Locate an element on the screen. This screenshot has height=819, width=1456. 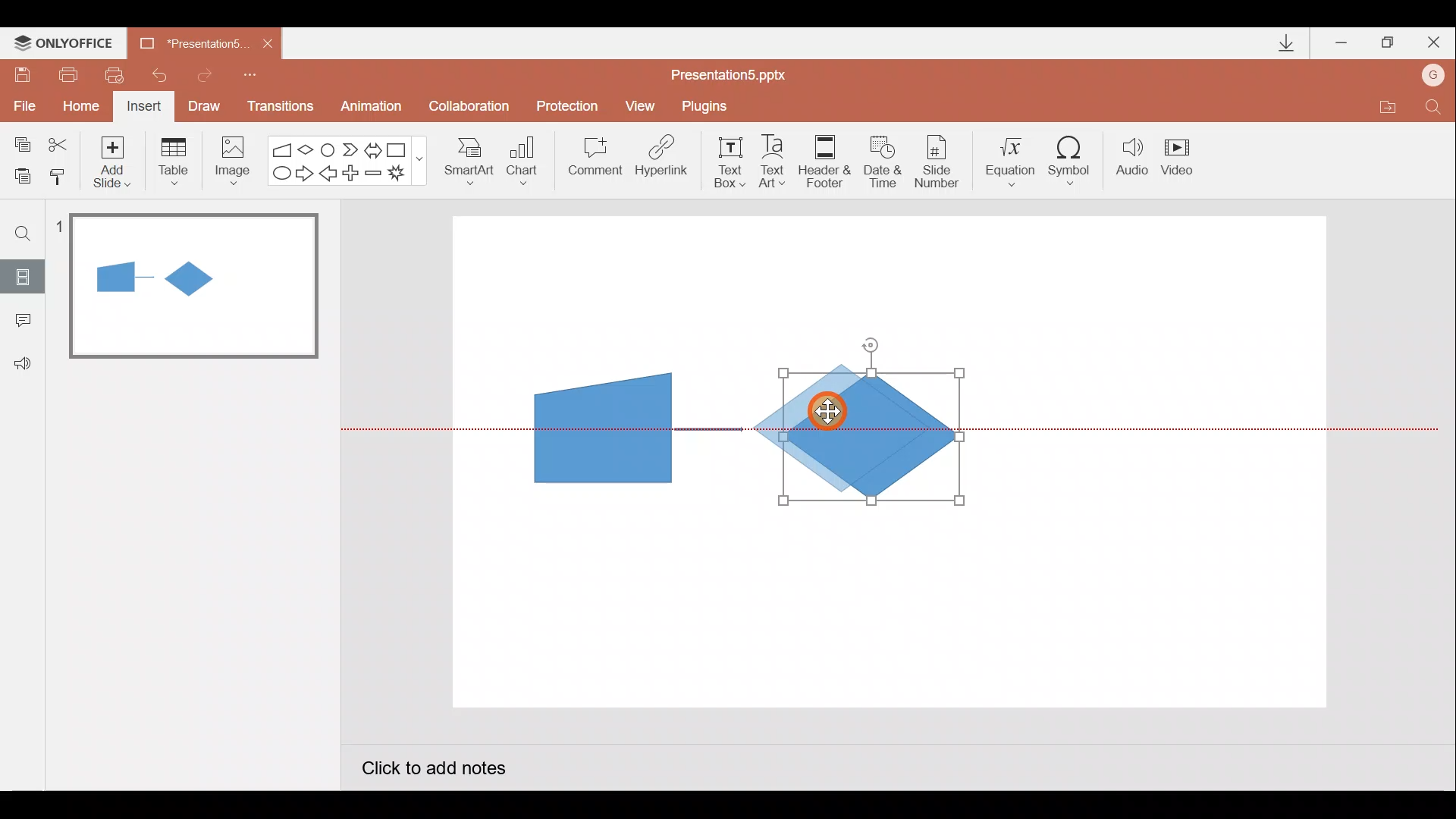
Click to add notes is located at coordinates (432, 770).